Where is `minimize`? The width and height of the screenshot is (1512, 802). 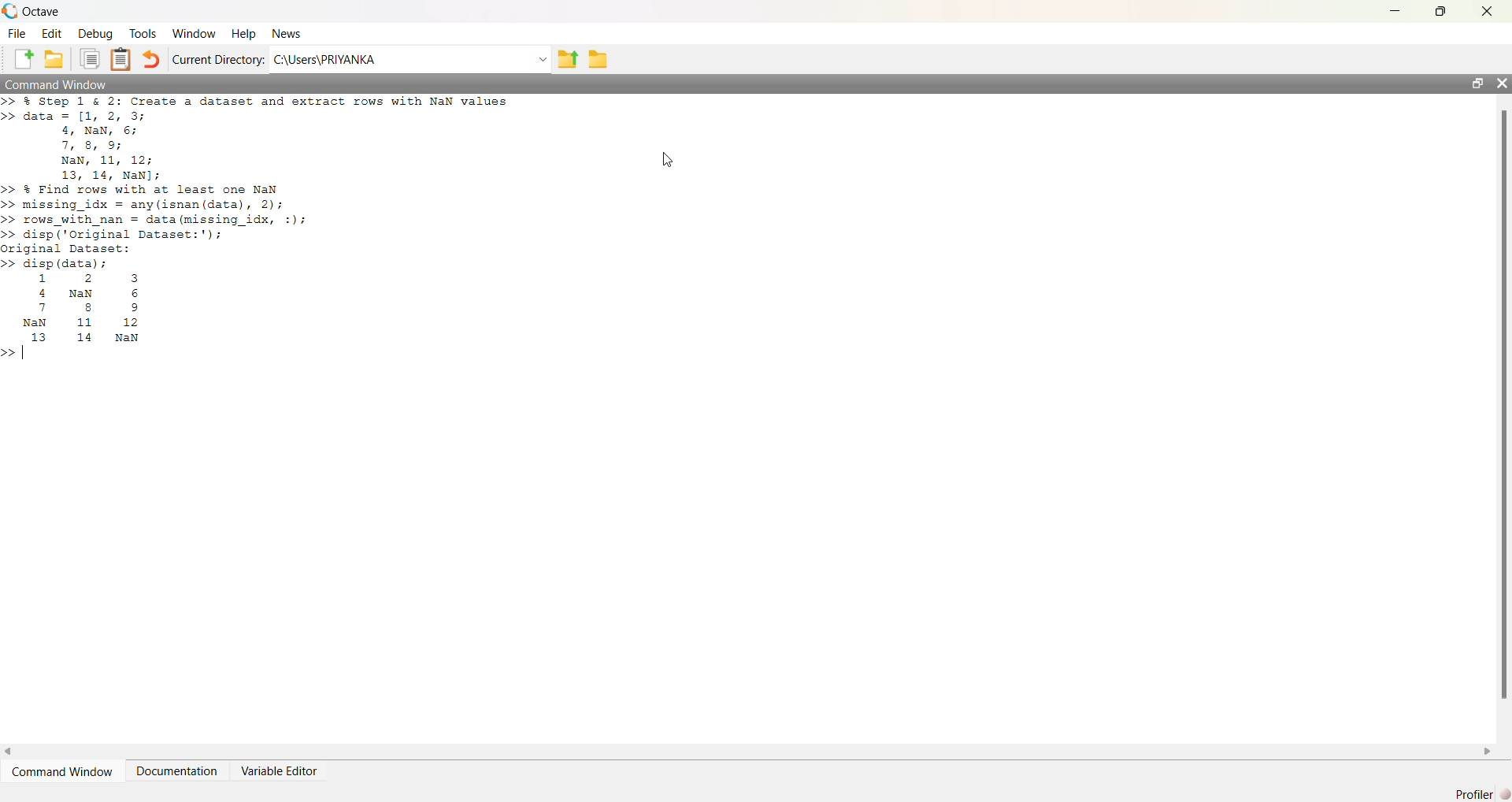 minimize is located at coordinates (1395, 11).